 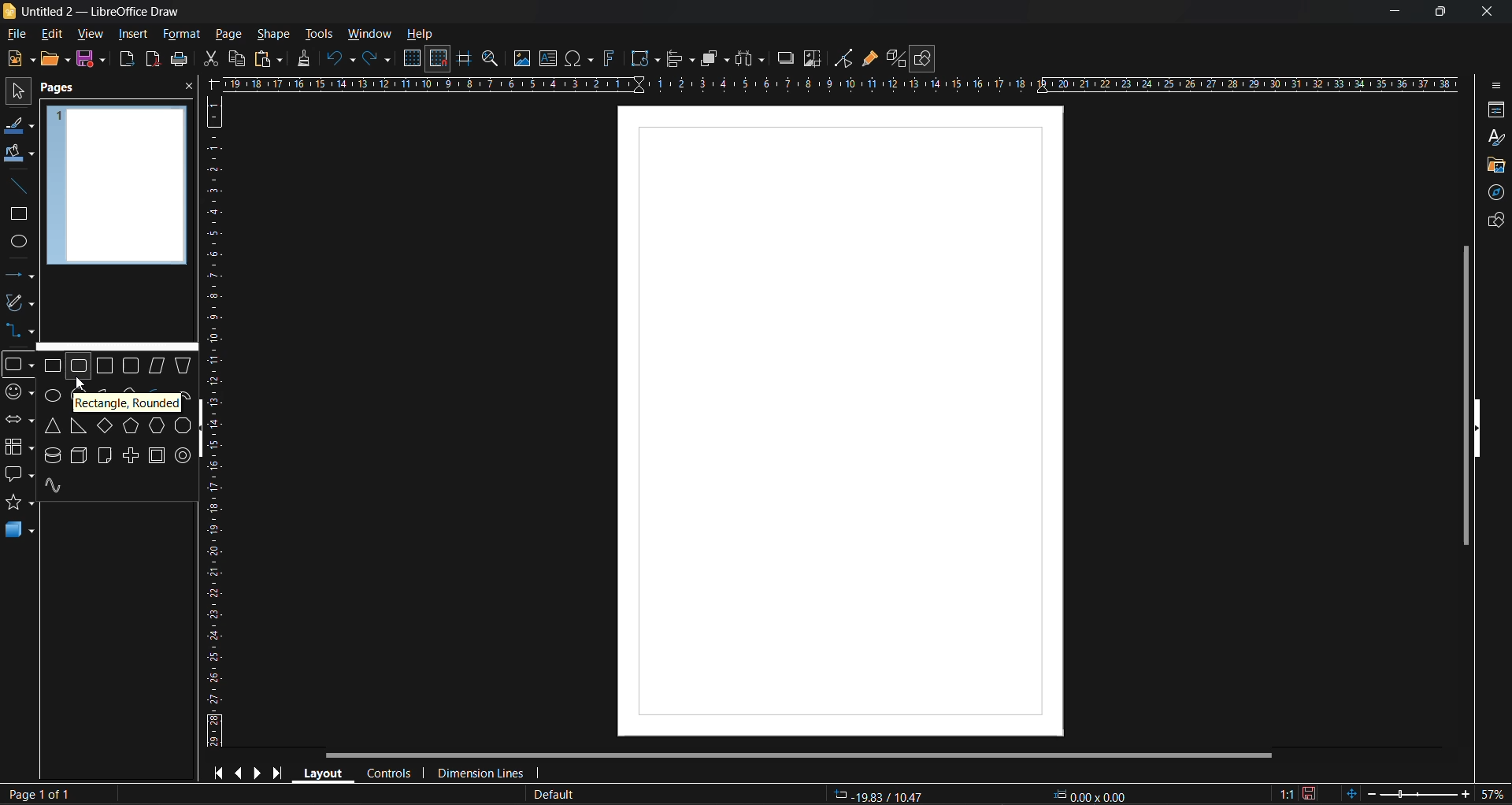 What do you see at coordinates (269, 61) in the screenshot?
I see `paste` at bounding box center [269, 61].